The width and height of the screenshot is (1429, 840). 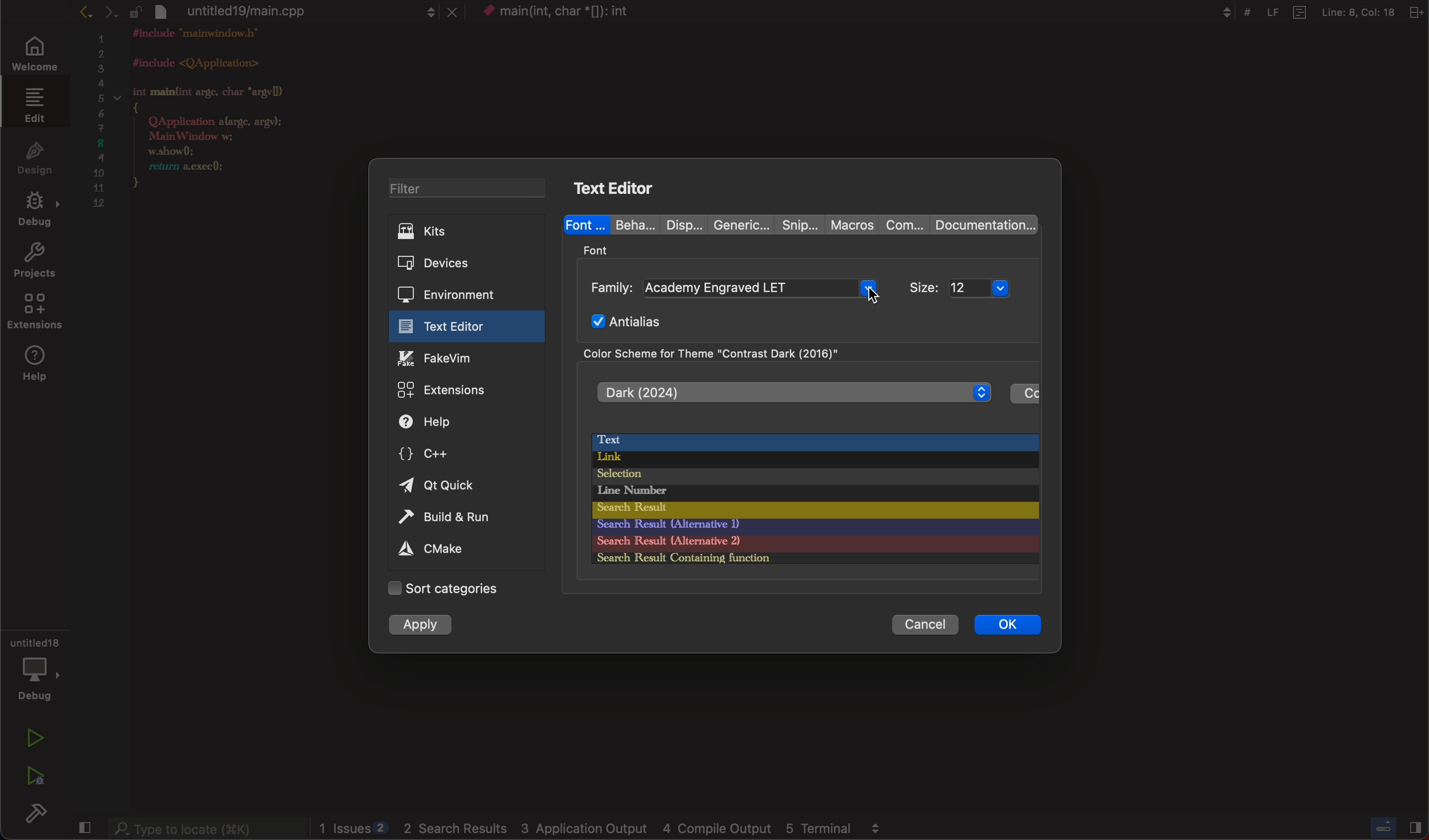 What do you see at coordinates (35, 262) in the screenshot?
I see `projects` at bounding box center [35, 262].